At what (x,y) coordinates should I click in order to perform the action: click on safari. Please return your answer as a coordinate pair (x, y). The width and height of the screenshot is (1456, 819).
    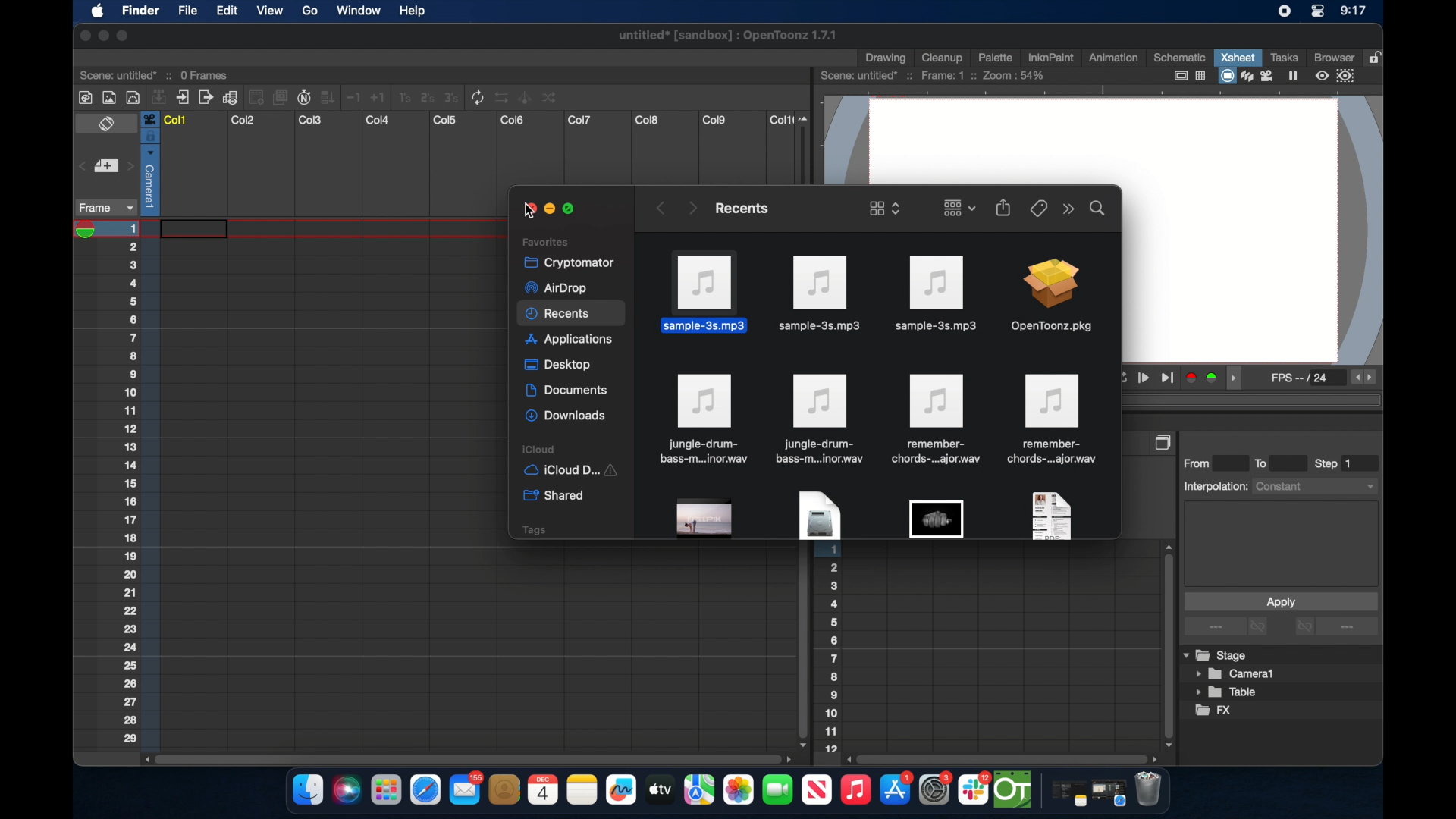
    Looking at the image, I should click on (1109, 793).